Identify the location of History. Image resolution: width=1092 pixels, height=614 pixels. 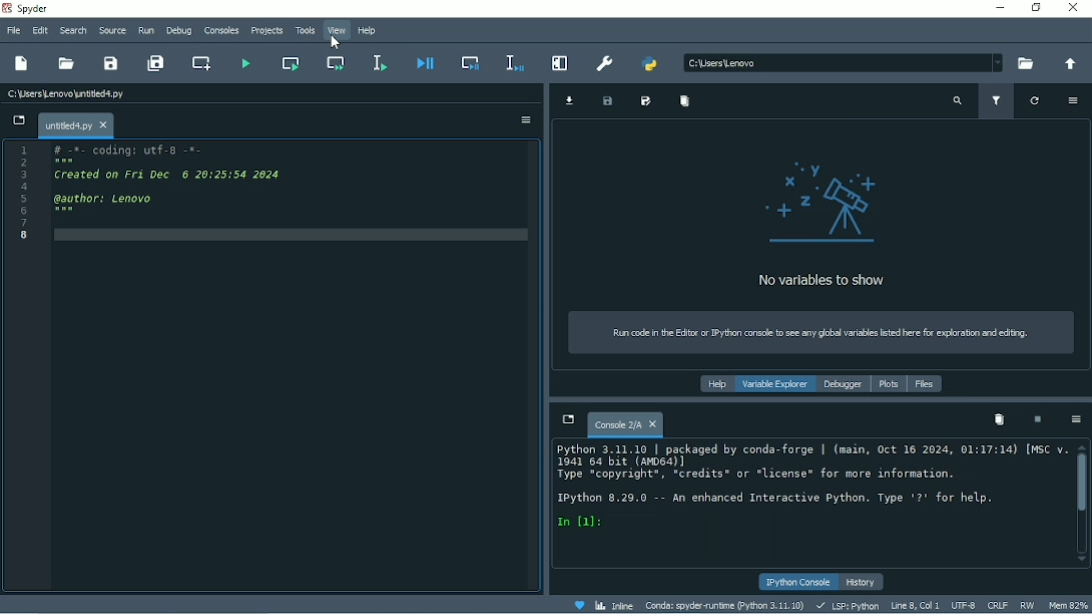
(862, 582).